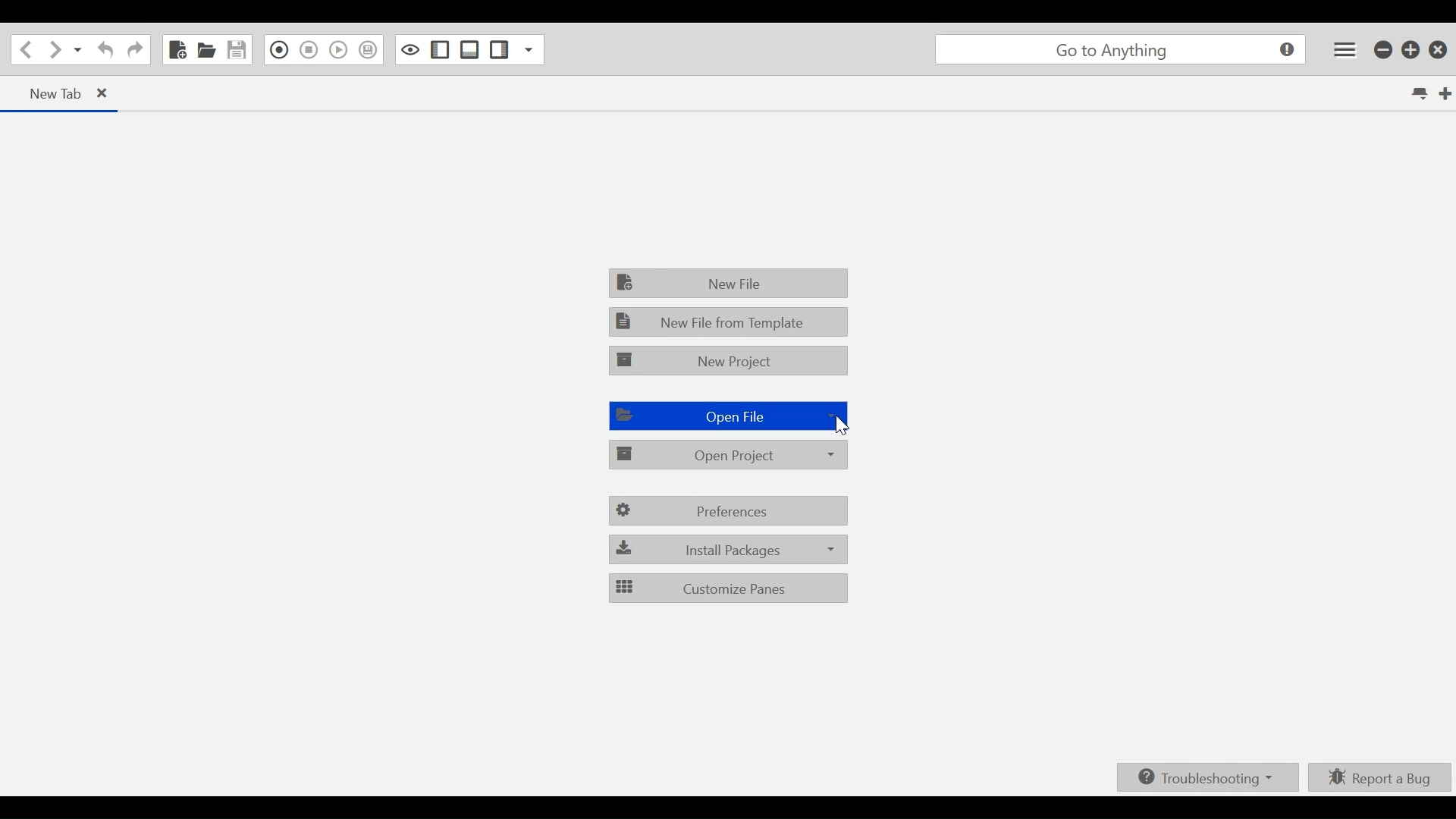  Describe the element at coordinates (727, 511) in the screenshot. I see `Preferences` at that location.